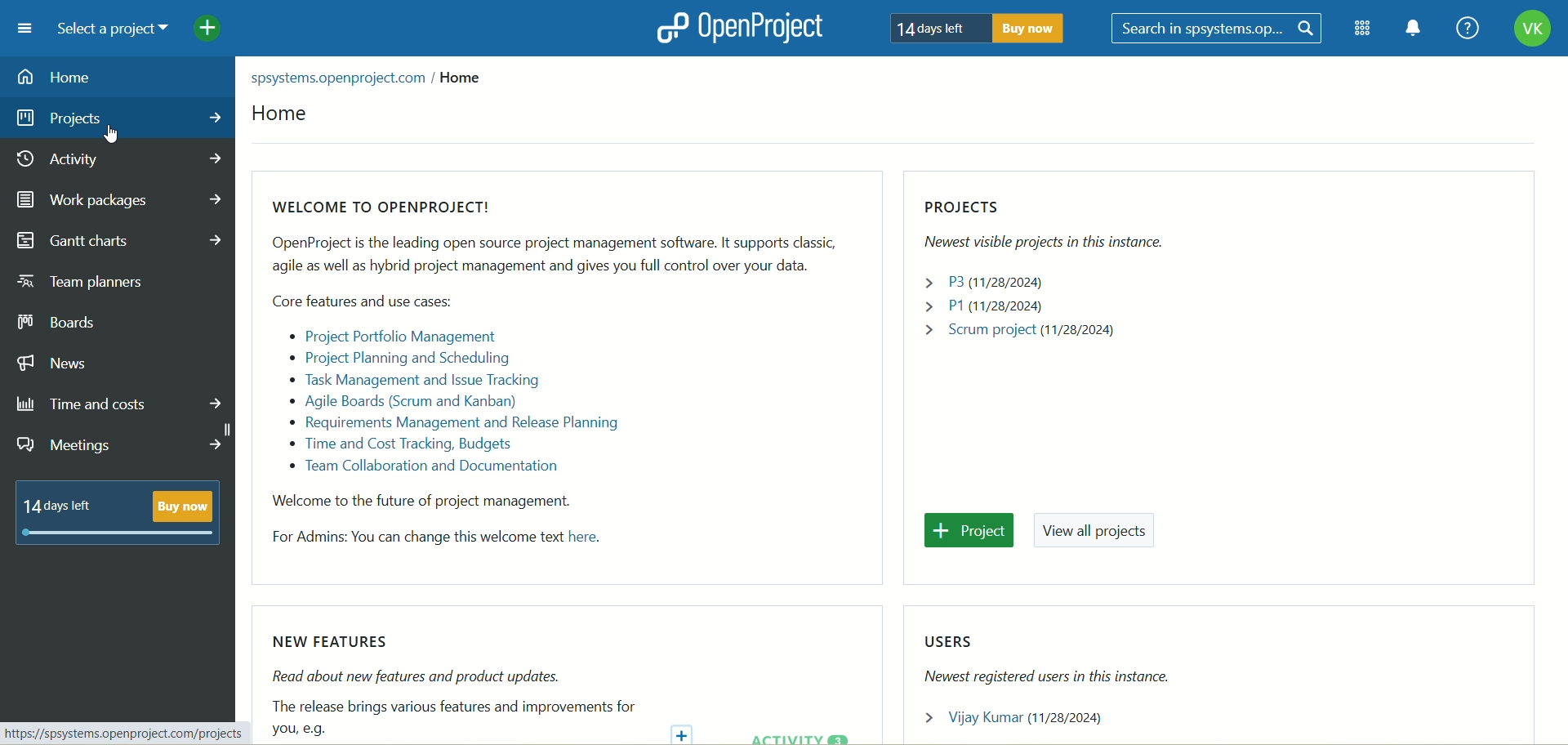 The height and width of the screenshot is (745, 1568). What do you see at coordinates (112, 27) in the screenshot?
I see `select a project` at bounding box center [112, 27].